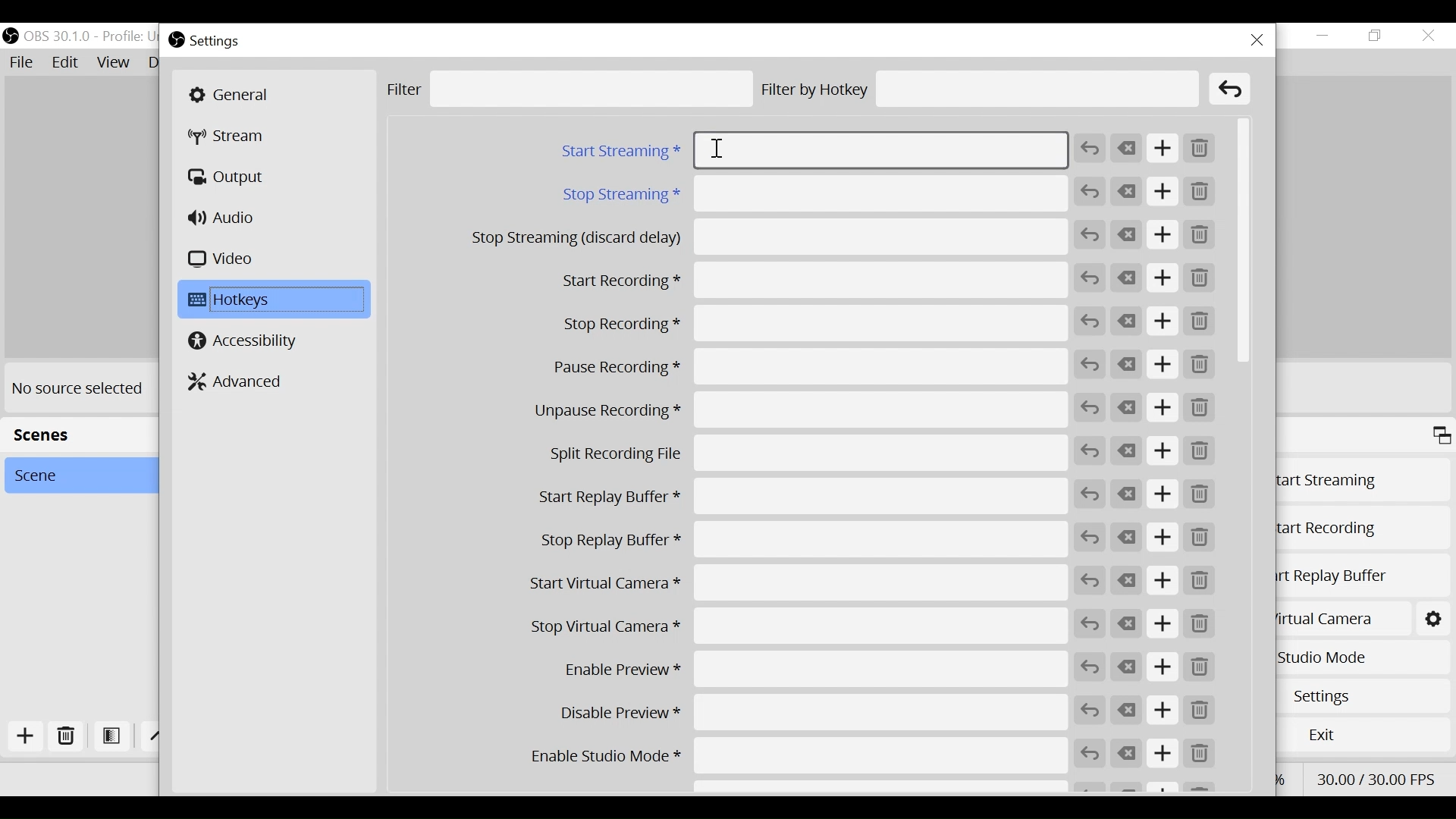  I want to click on Add, so click(1163, 538).